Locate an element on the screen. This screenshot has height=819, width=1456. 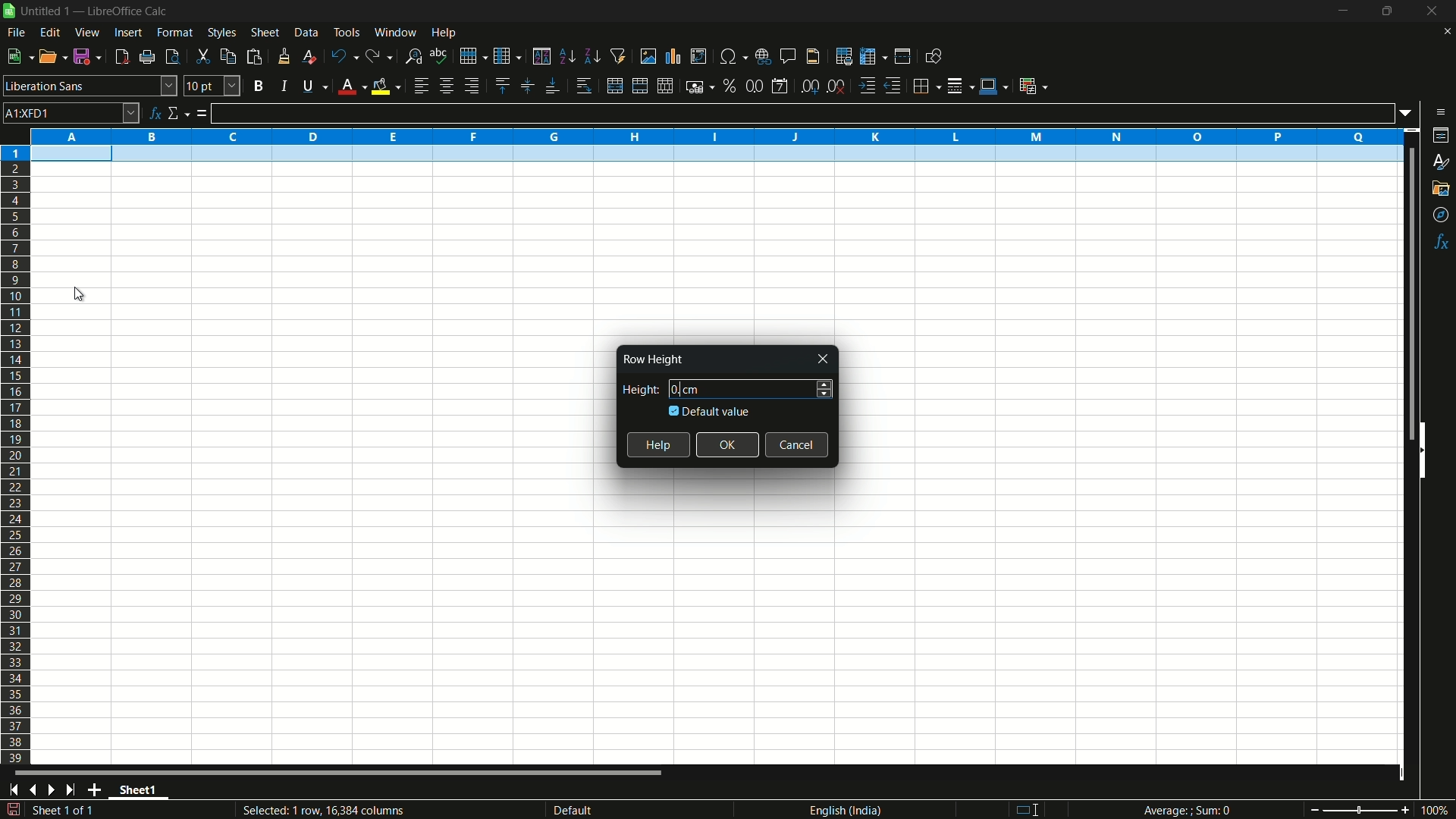
border color is located at coordinates (993, 83).